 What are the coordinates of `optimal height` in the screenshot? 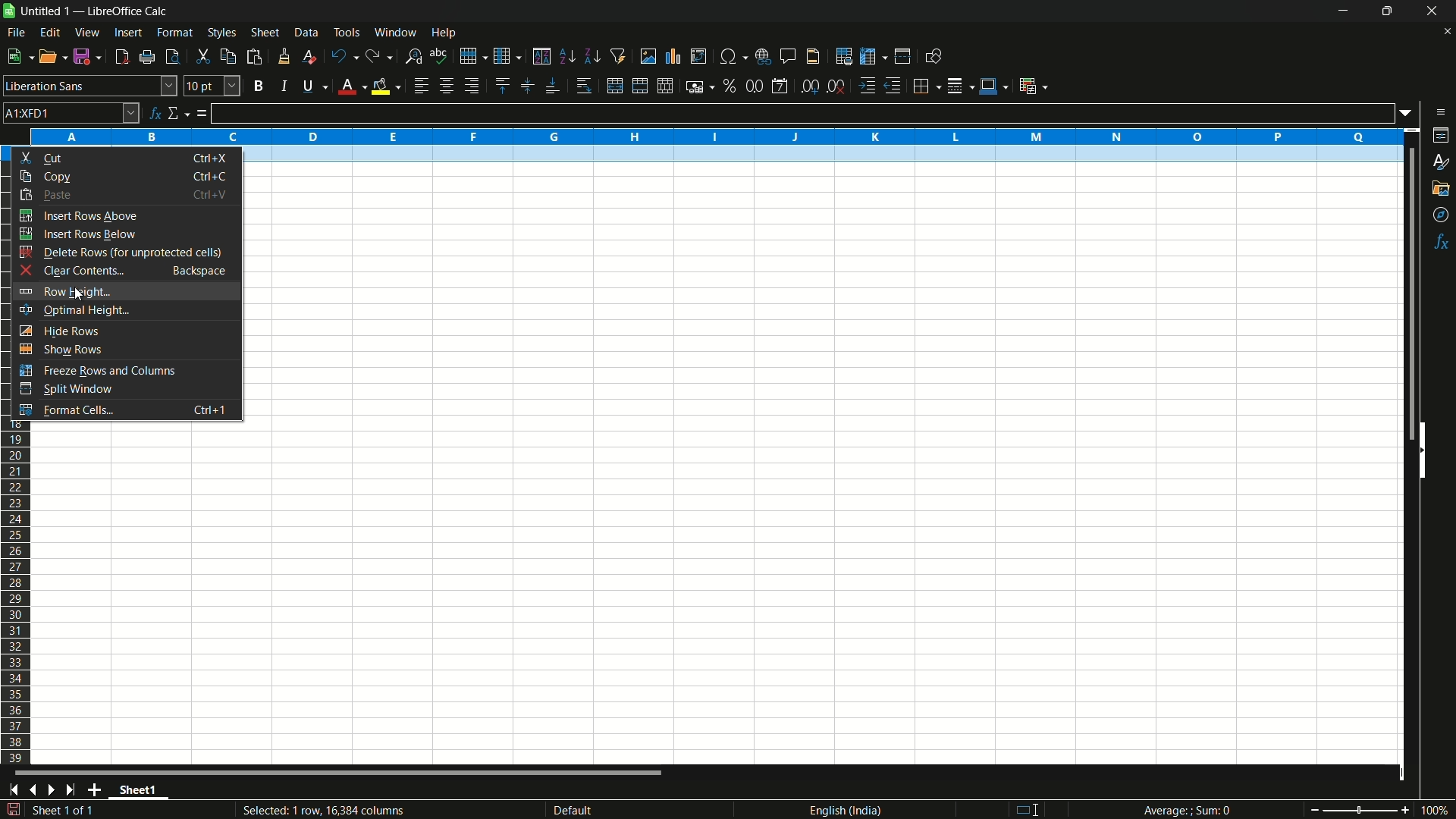 It's located at (124, 310).